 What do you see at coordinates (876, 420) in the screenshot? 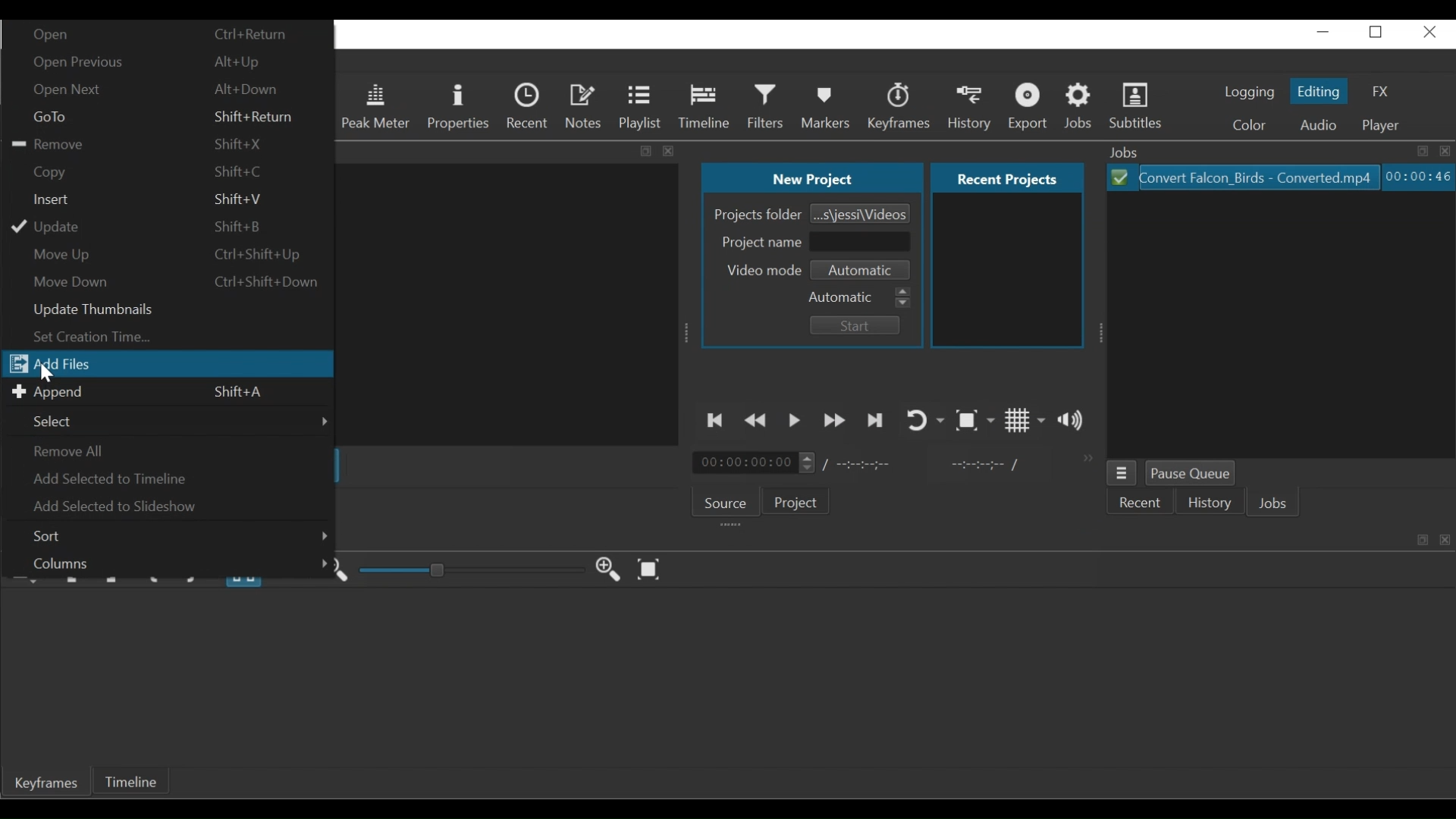
I see `Skip to the next point` at bounding box center [876, 420].